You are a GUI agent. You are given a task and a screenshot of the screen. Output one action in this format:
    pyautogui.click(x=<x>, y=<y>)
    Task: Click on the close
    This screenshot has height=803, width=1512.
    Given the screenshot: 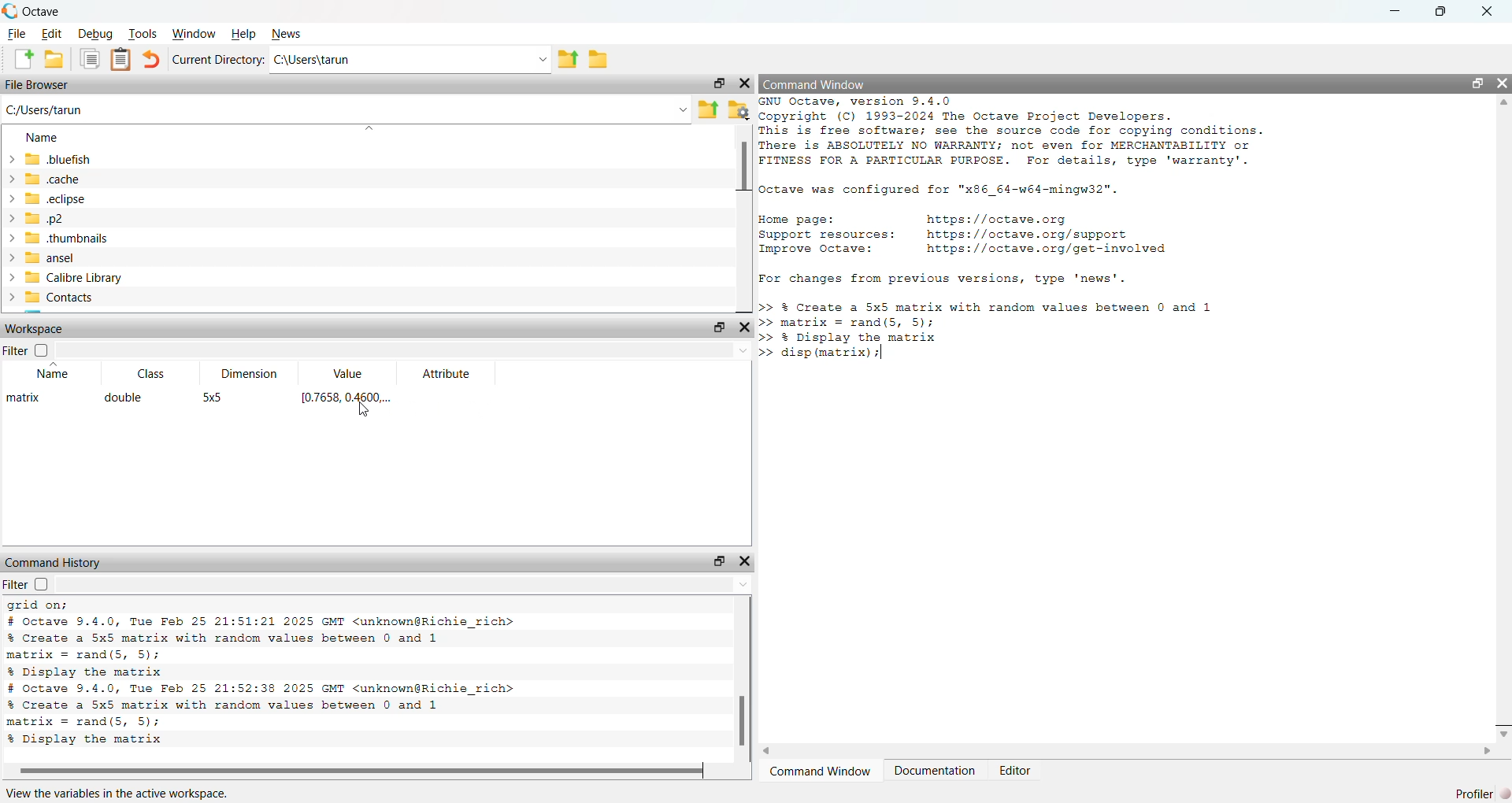 What is the action you would take?
    pyautogui.click(x=1492, y=12)
    